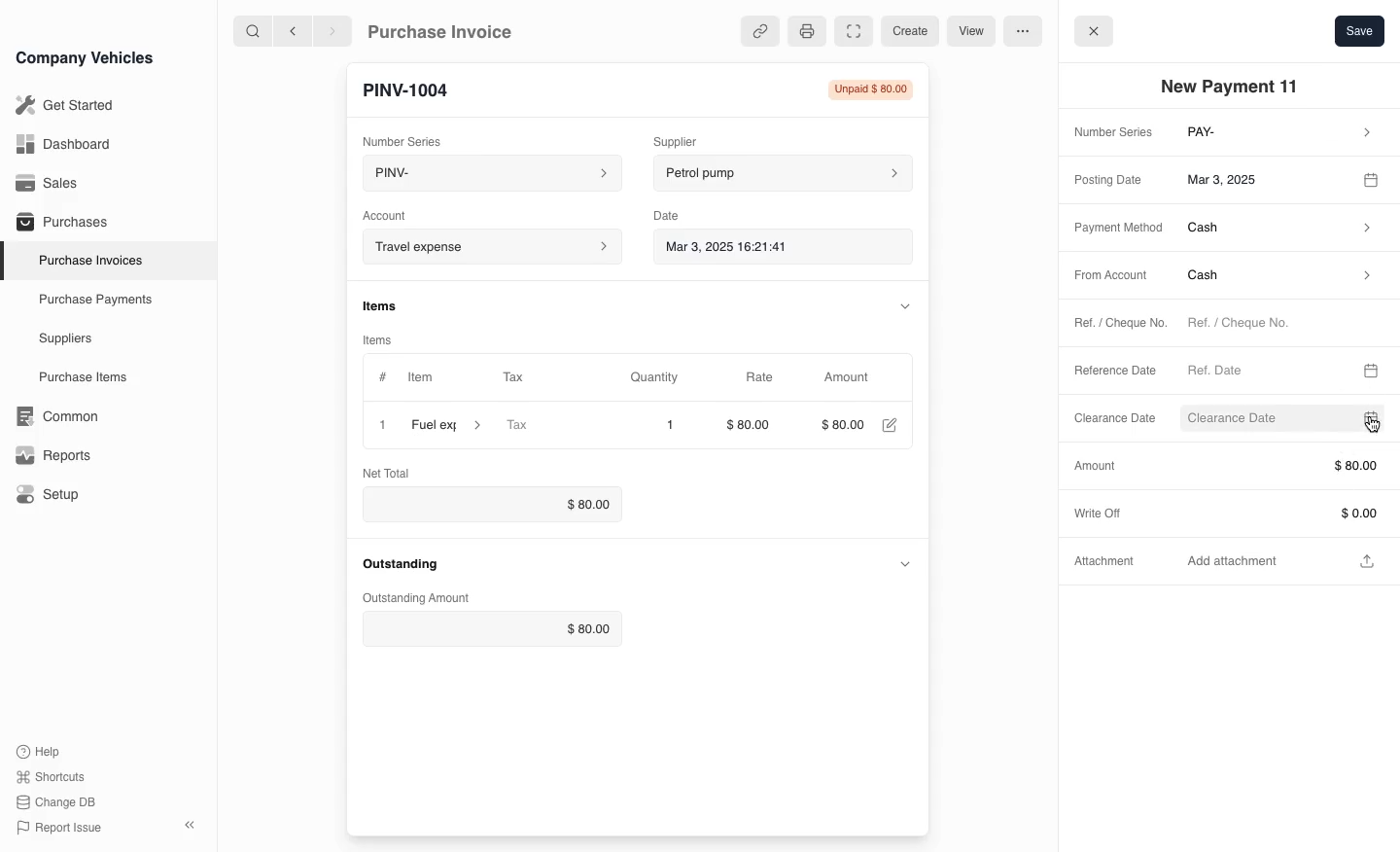  I want to click on ref date, so click(1264, 369).